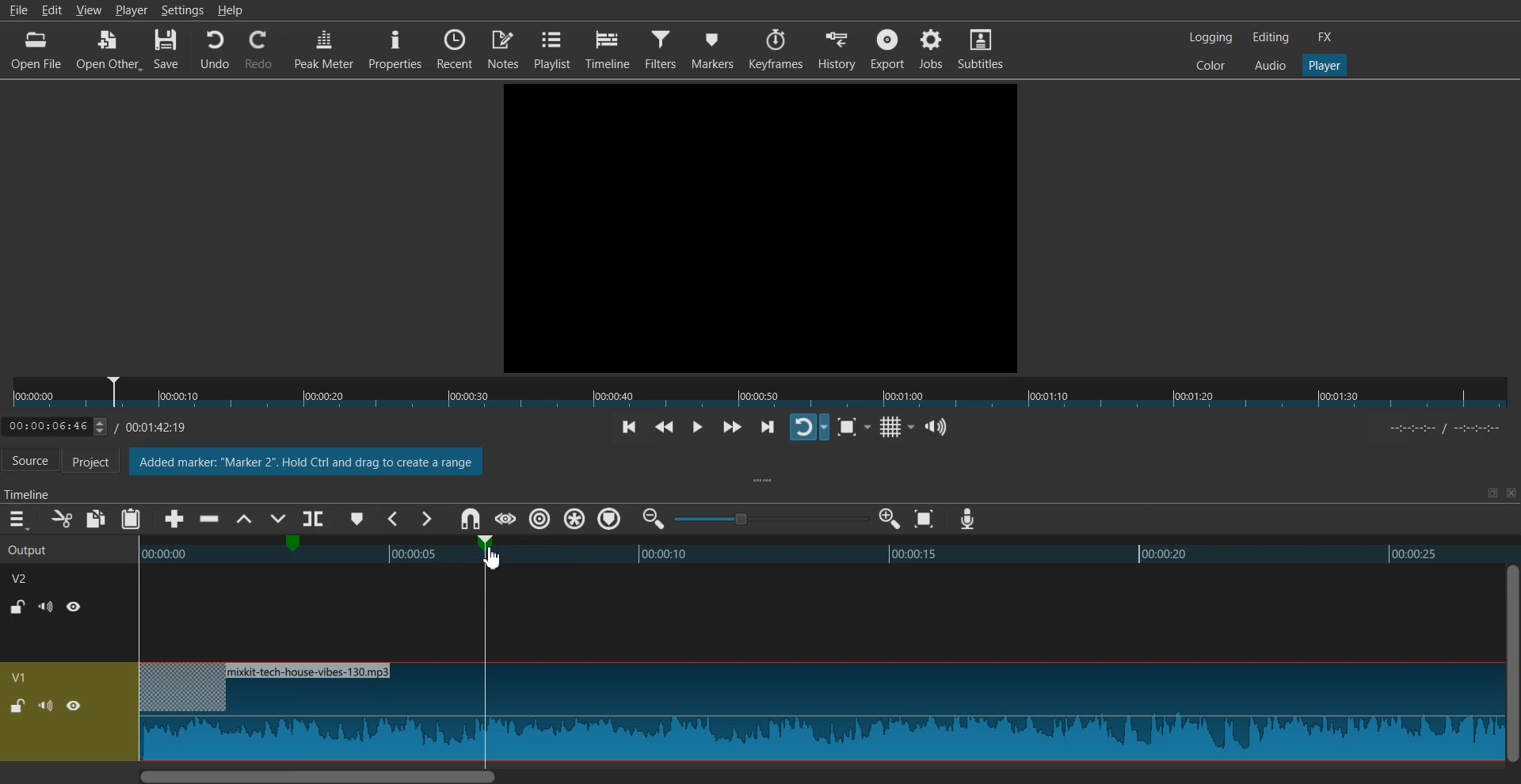  Describe the element at coordinates (109, 51) in the screenshot. I see `Open Other` at that location.